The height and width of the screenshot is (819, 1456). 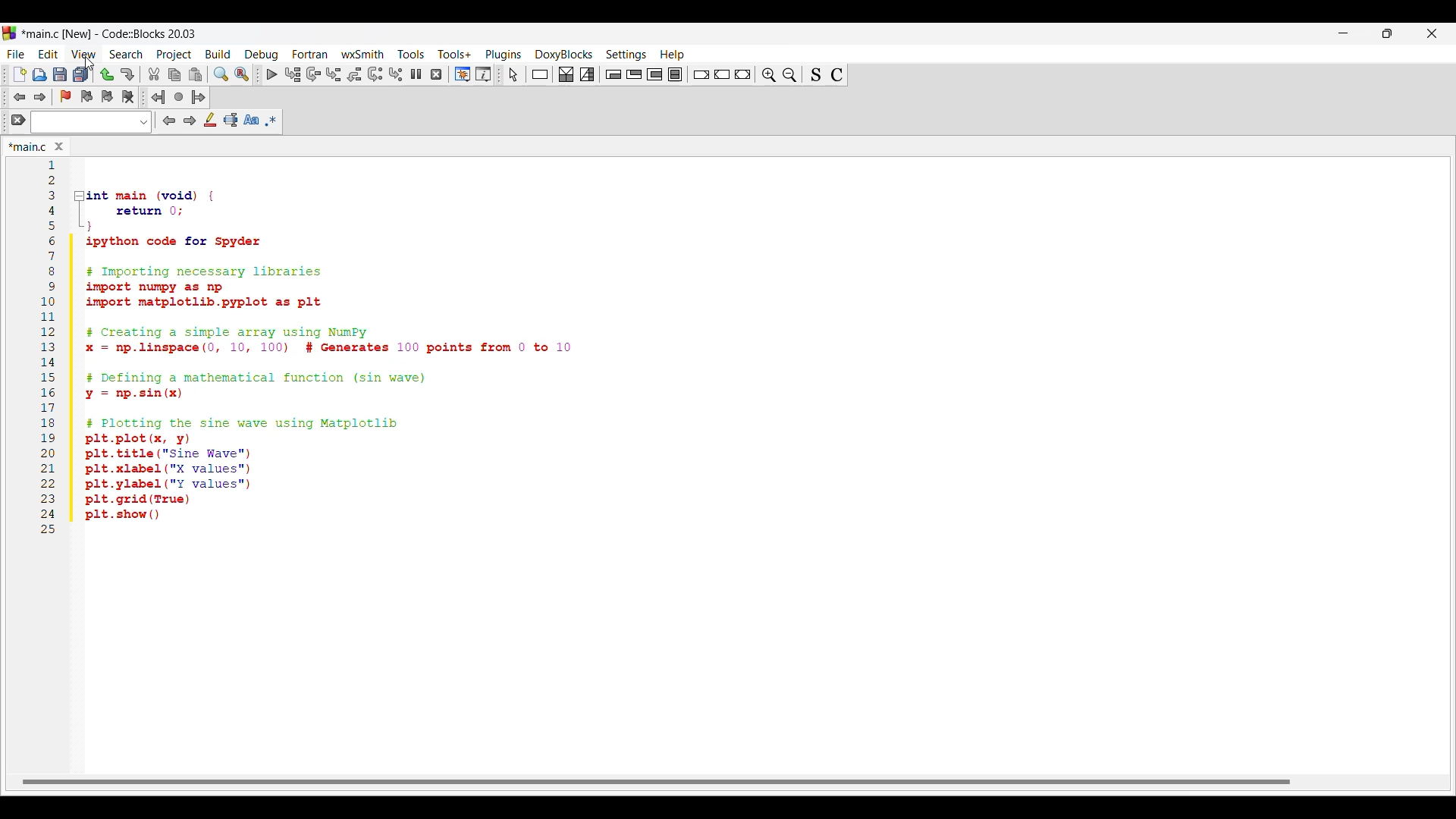 I want to click on Fortran menu, so click(x=310, y=54).